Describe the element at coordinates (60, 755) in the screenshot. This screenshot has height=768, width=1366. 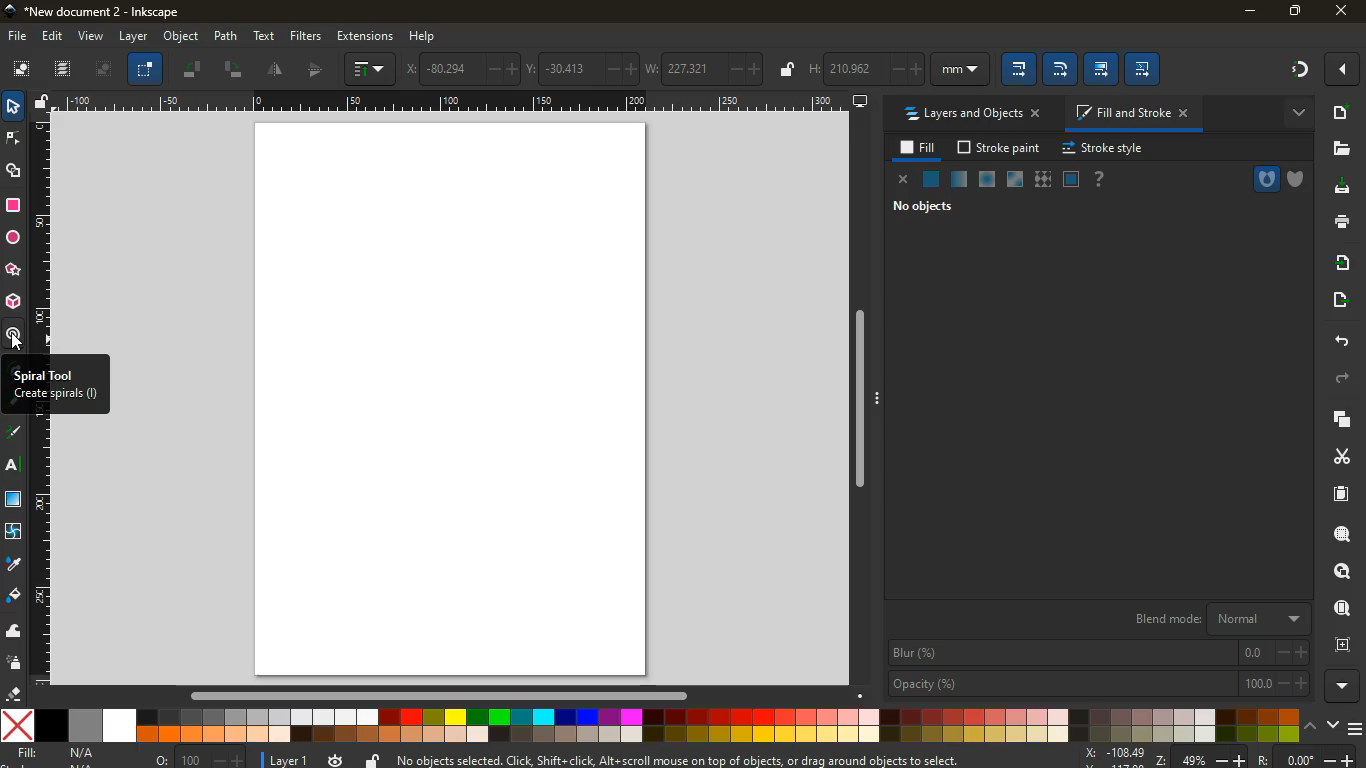
I see `fill` at that location.